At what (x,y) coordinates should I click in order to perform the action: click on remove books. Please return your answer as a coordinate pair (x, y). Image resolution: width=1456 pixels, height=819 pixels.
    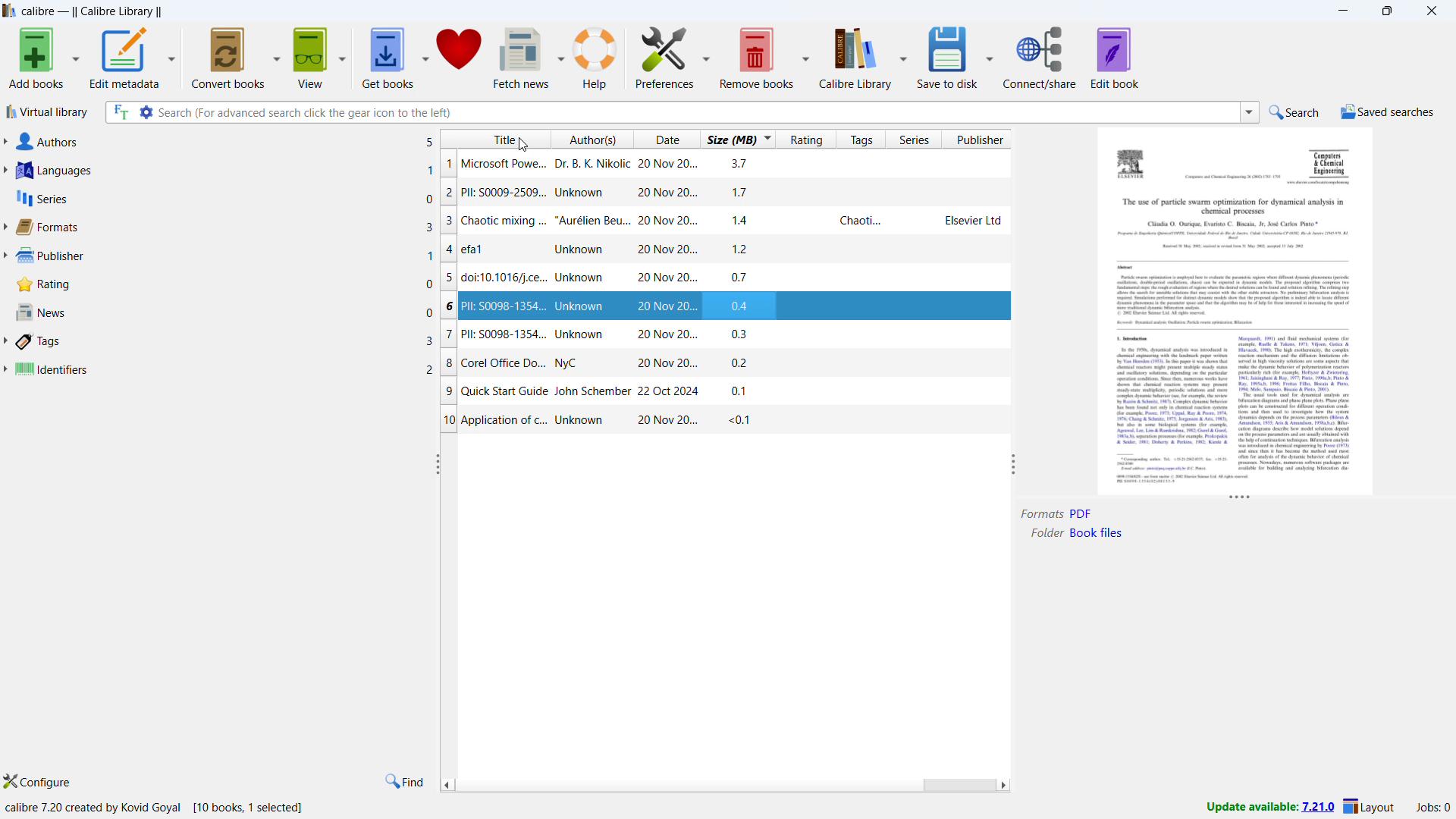
    Looking at the image, I should click on (757, 57).